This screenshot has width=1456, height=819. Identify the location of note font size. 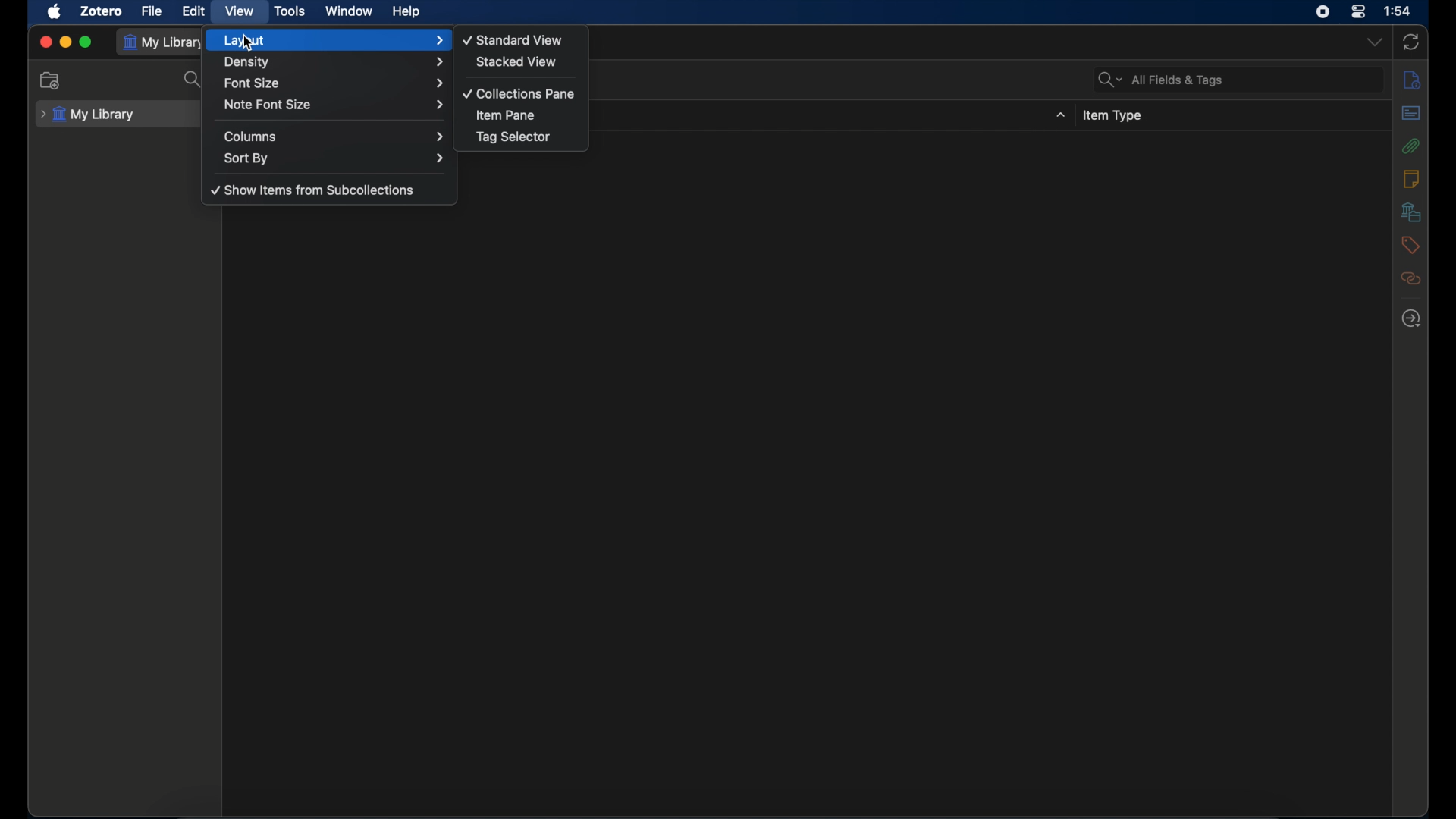
(334, 105).